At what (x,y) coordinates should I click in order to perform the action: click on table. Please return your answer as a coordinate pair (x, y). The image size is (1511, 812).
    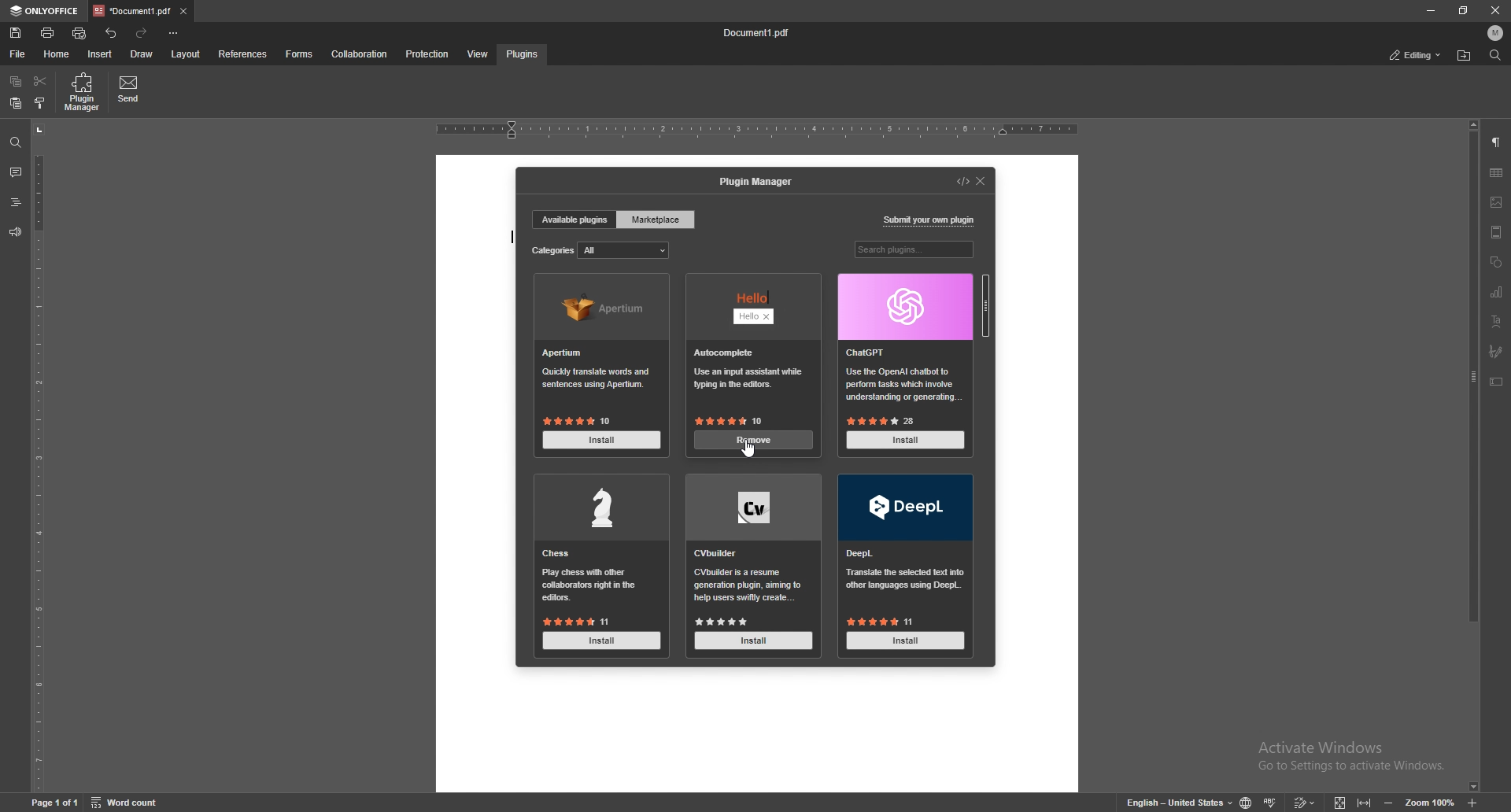
    Looking at the image, I should click on (1496, 173).